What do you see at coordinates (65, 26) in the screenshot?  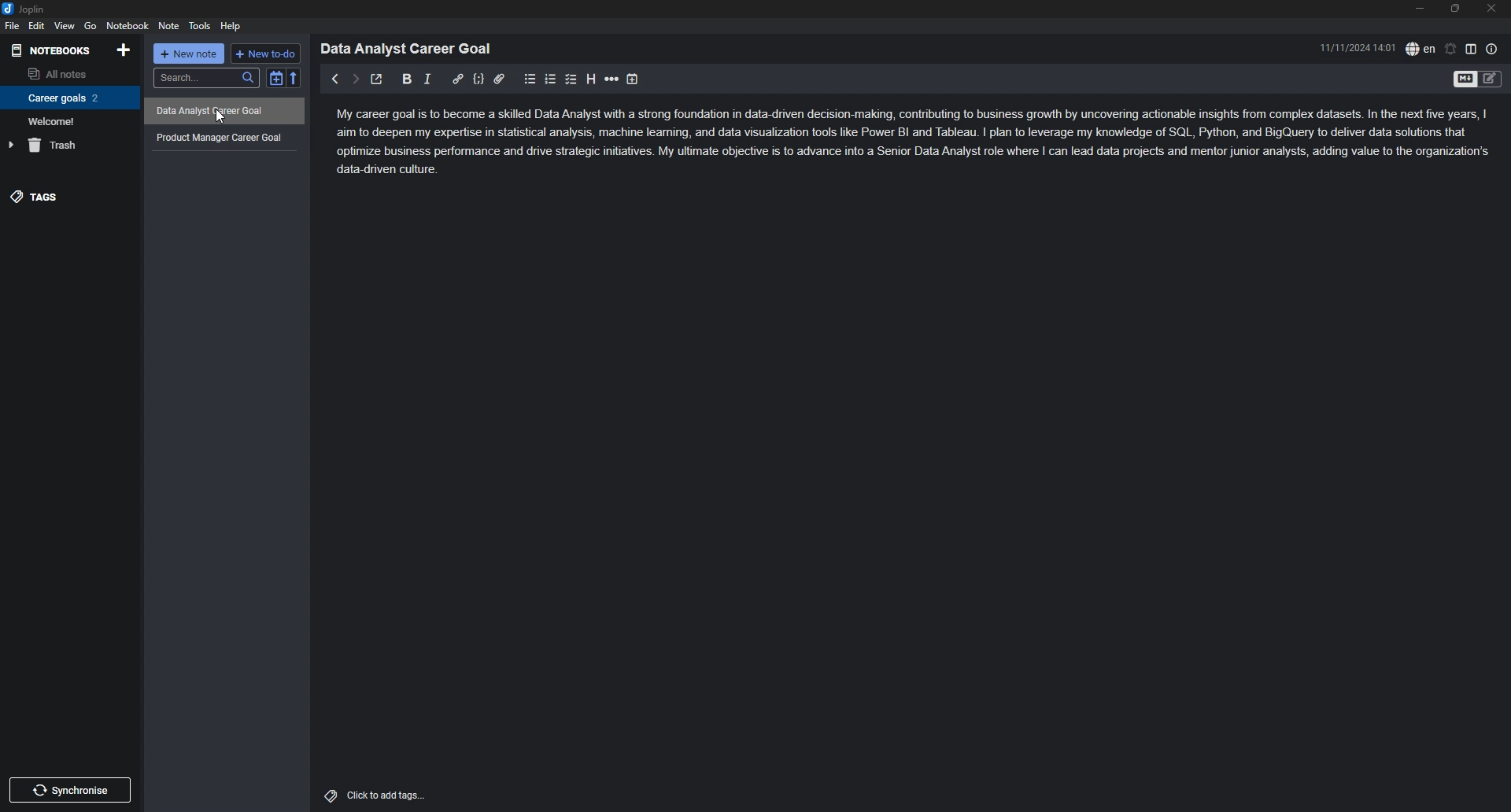 I see `view` at bounding box center [65, 26].